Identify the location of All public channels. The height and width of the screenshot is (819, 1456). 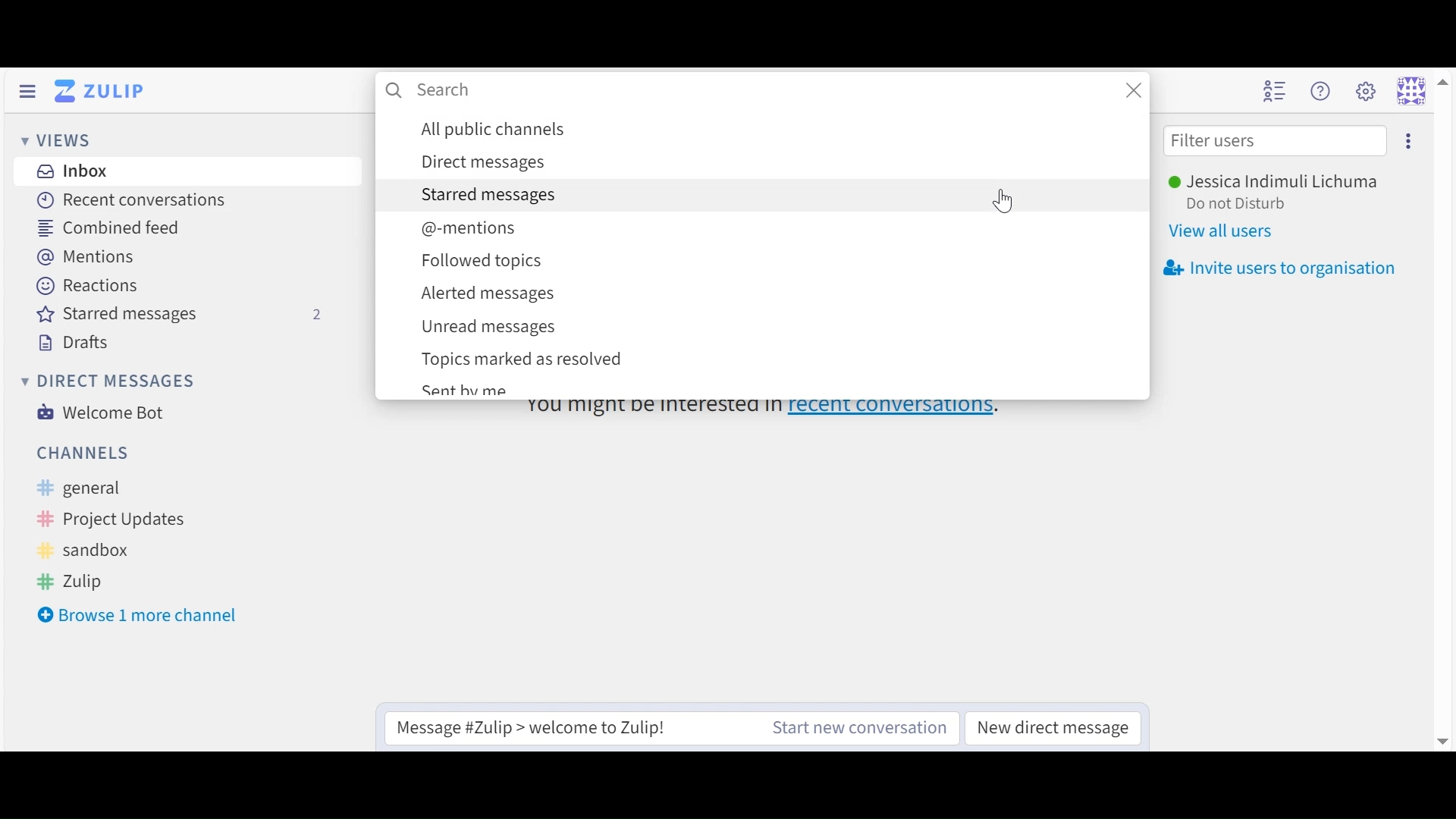
(777, 129).